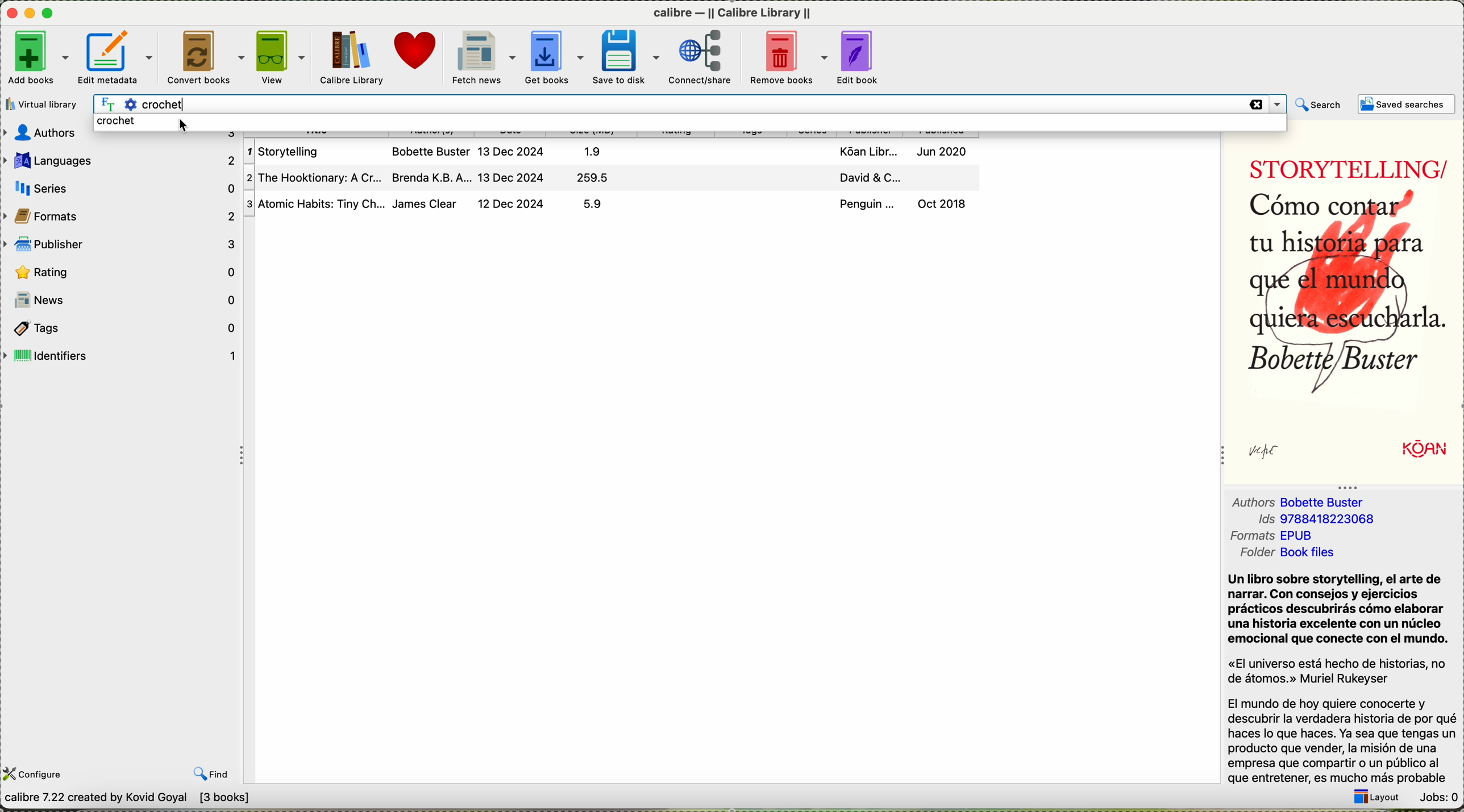 The height and width of the screenshot is (812, 1464). Describe the element at coordinates (786, 56) in the screenshot. I see `remove books` at that location.